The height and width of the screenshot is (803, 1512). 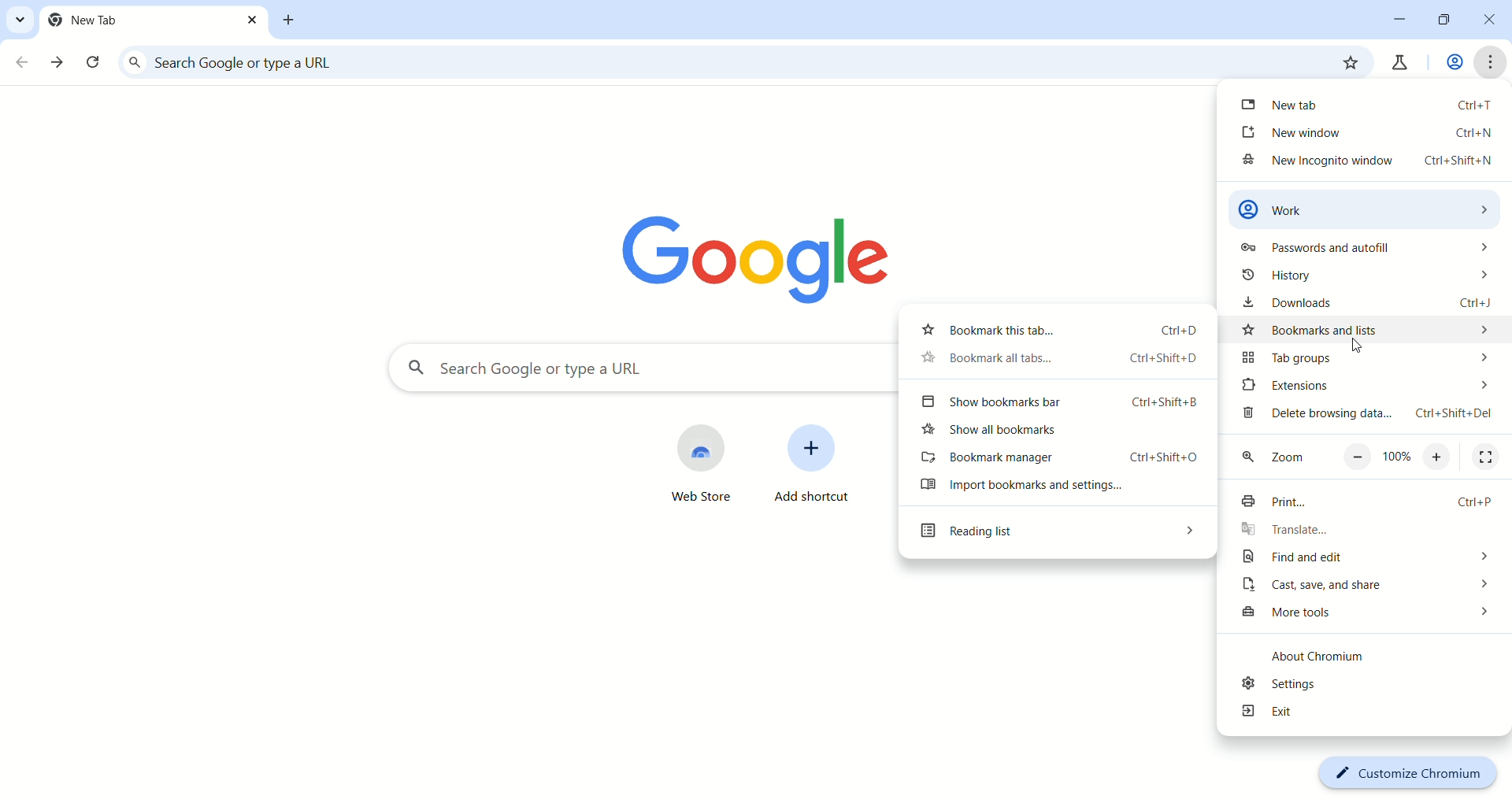 I want to click on print, so click(x=1362, y=504).